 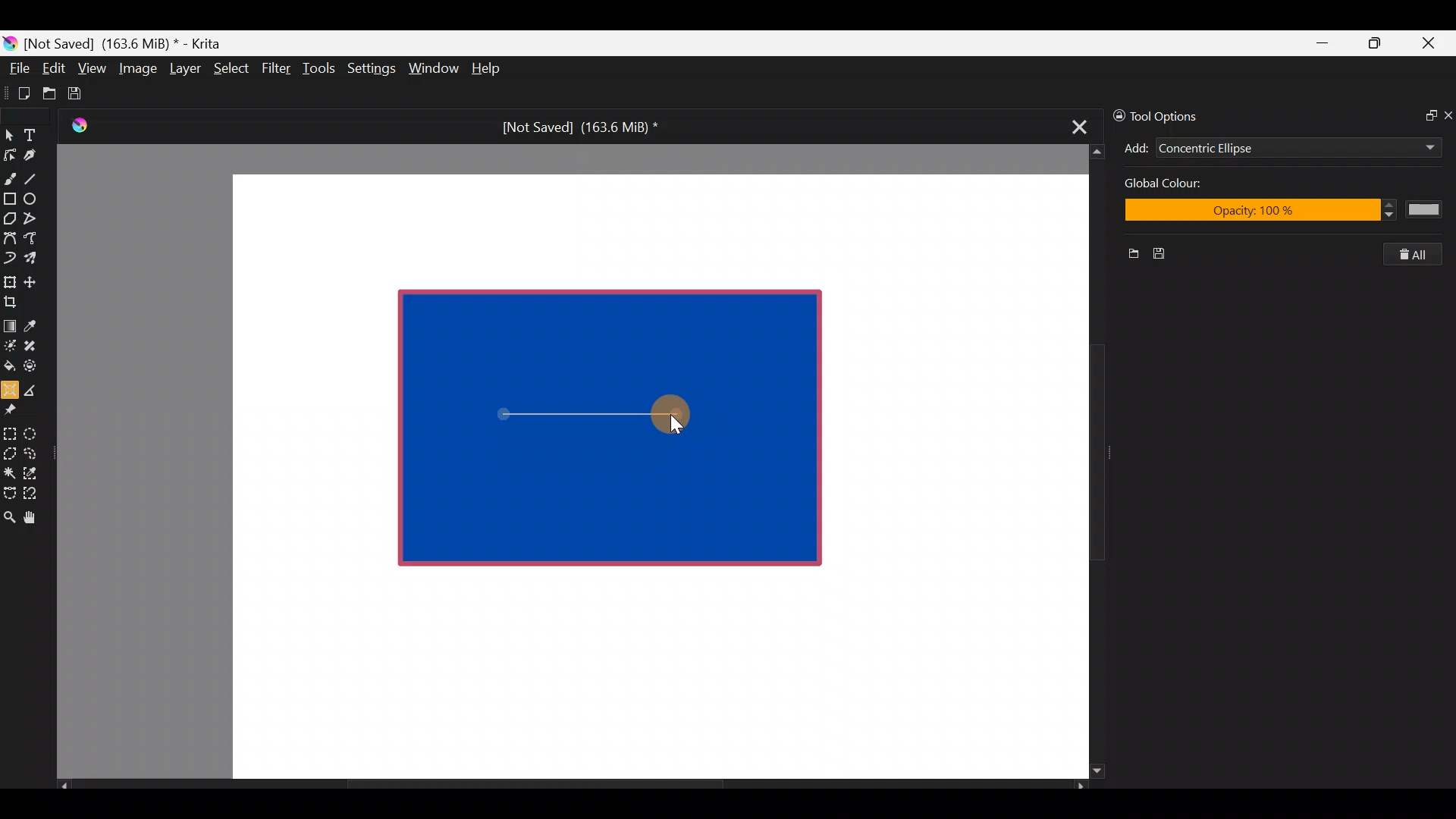 I want to click on Help, so click(x=488, y=70).